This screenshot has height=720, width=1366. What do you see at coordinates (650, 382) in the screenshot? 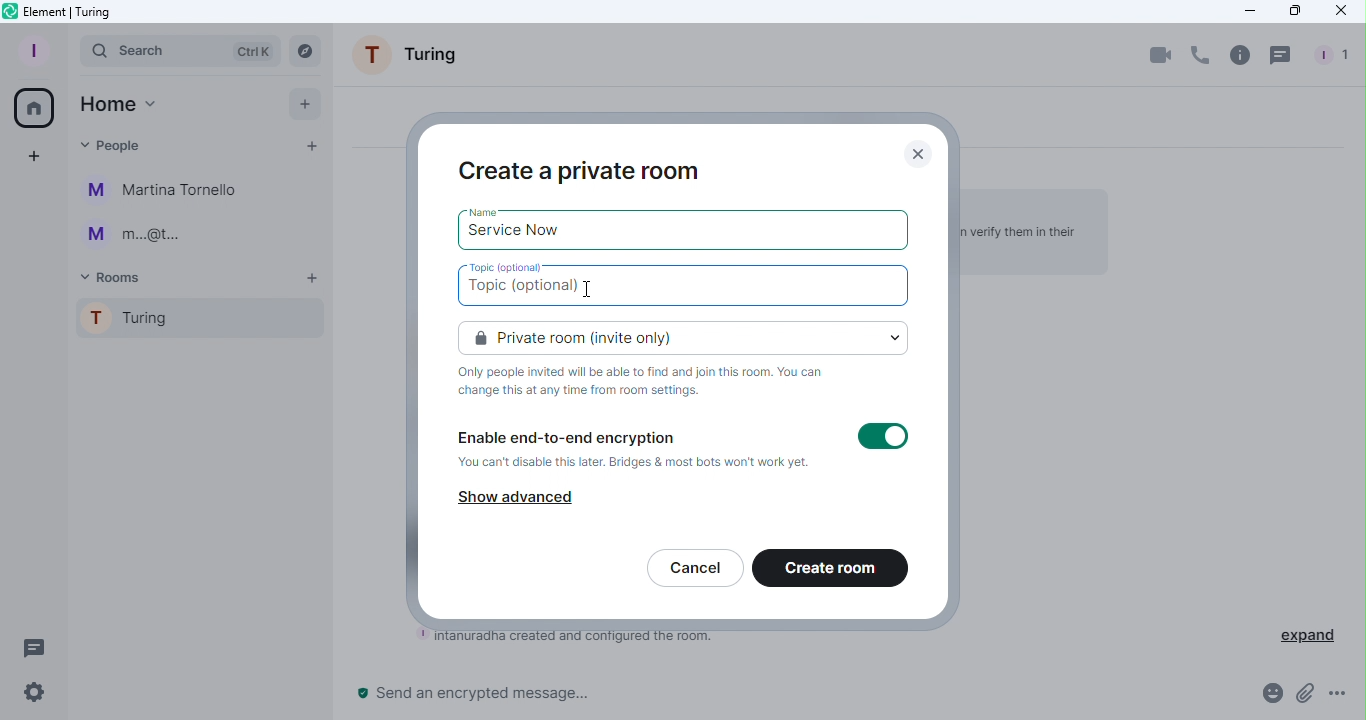
I see `Information` at bounding box center [650, 382].